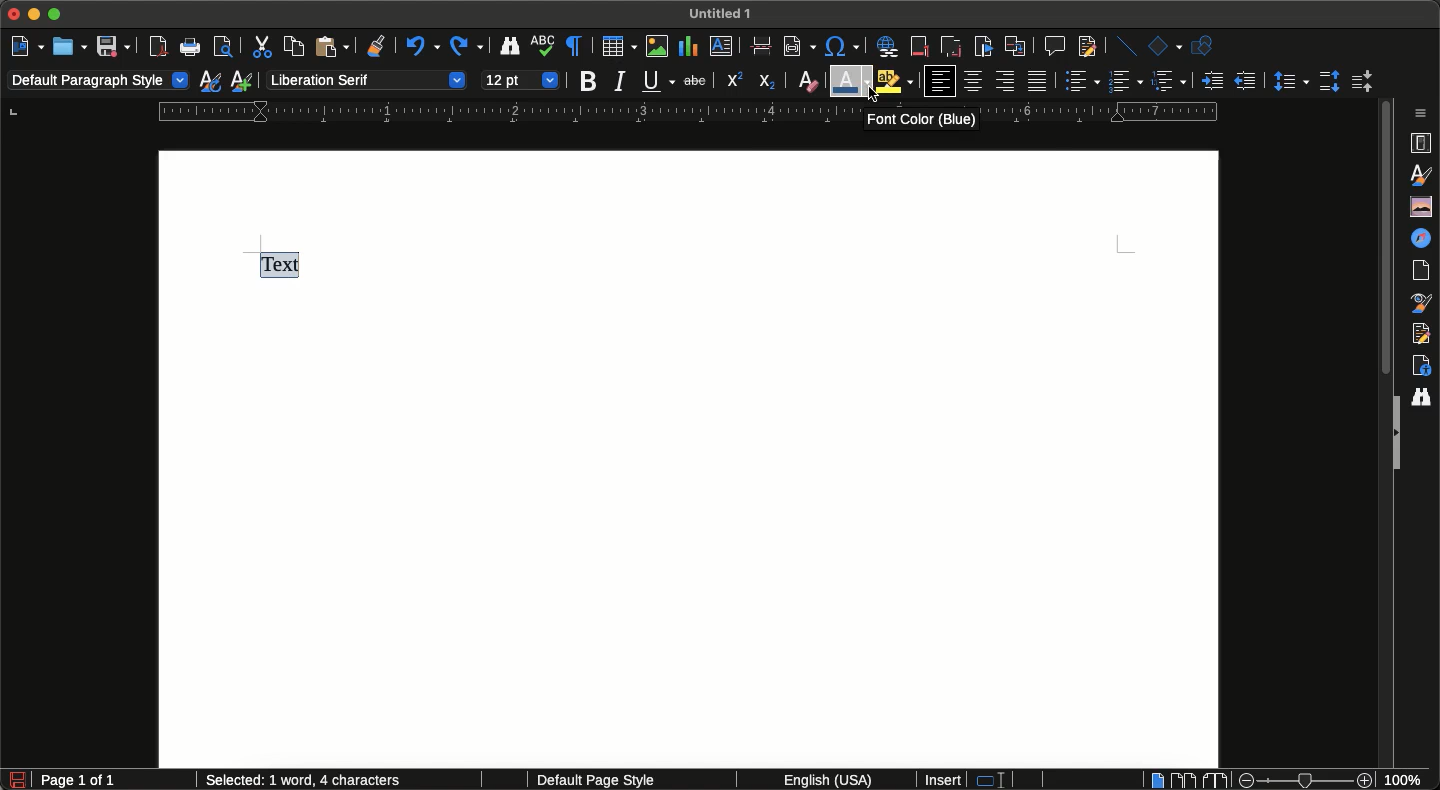 The height and width of the screenshot is (790, 1440). Describe the element at coordinates (949, 45) in the screenshot. I see `Insert endnote` at that location.